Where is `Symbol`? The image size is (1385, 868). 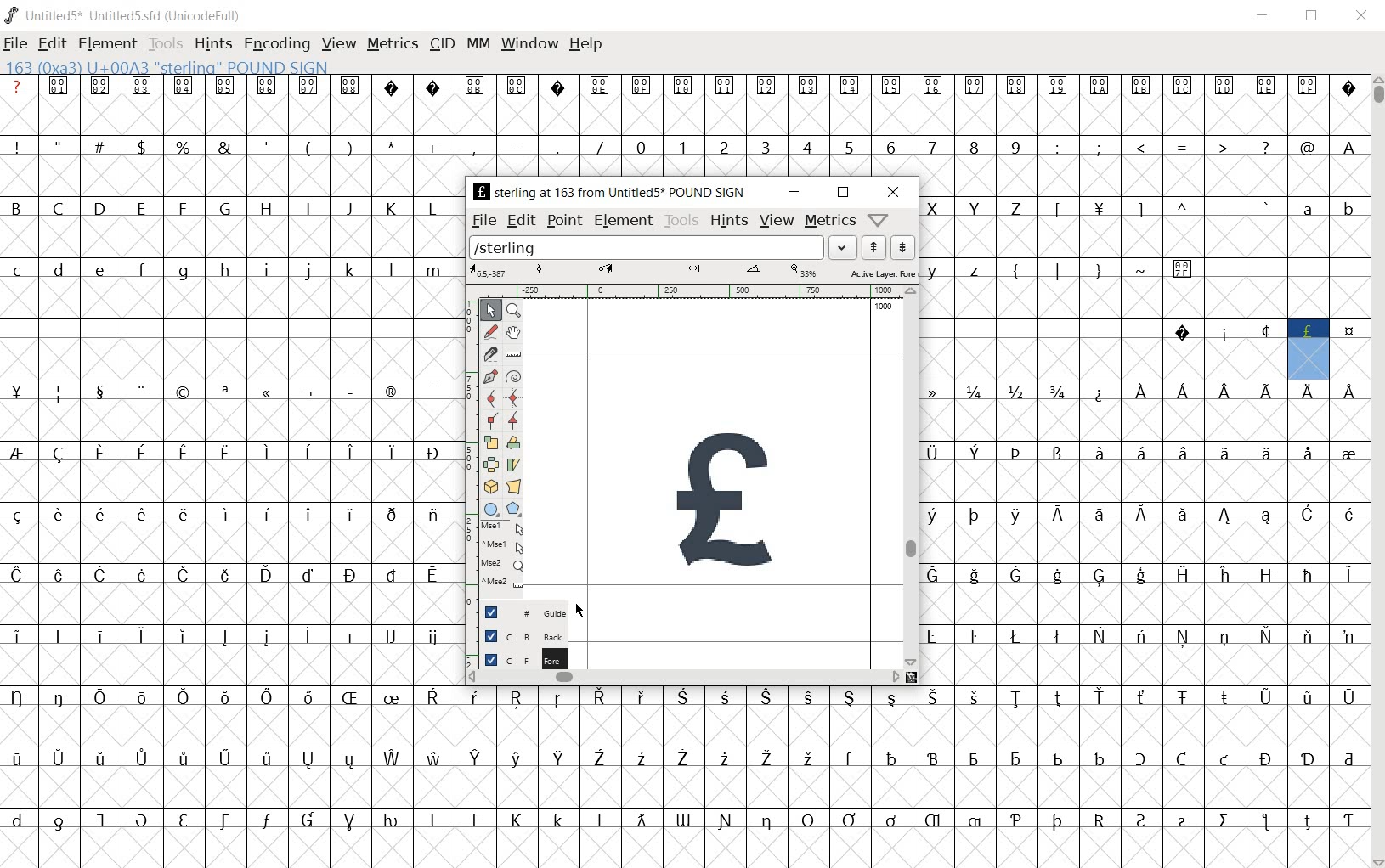
Symbol is located at coordinates (891, 699).